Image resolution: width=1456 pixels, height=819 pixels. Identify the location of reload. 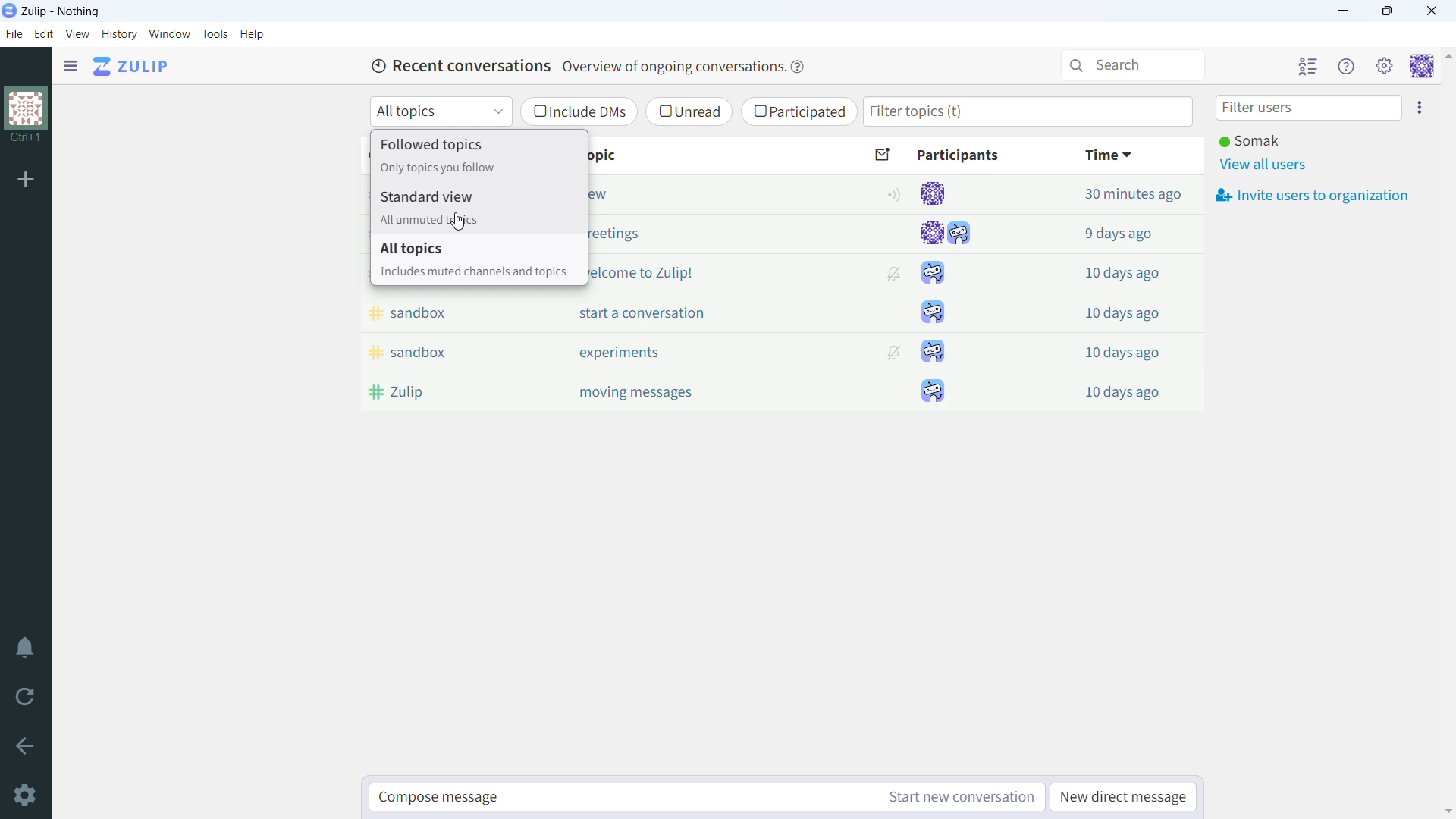
(27, 697).